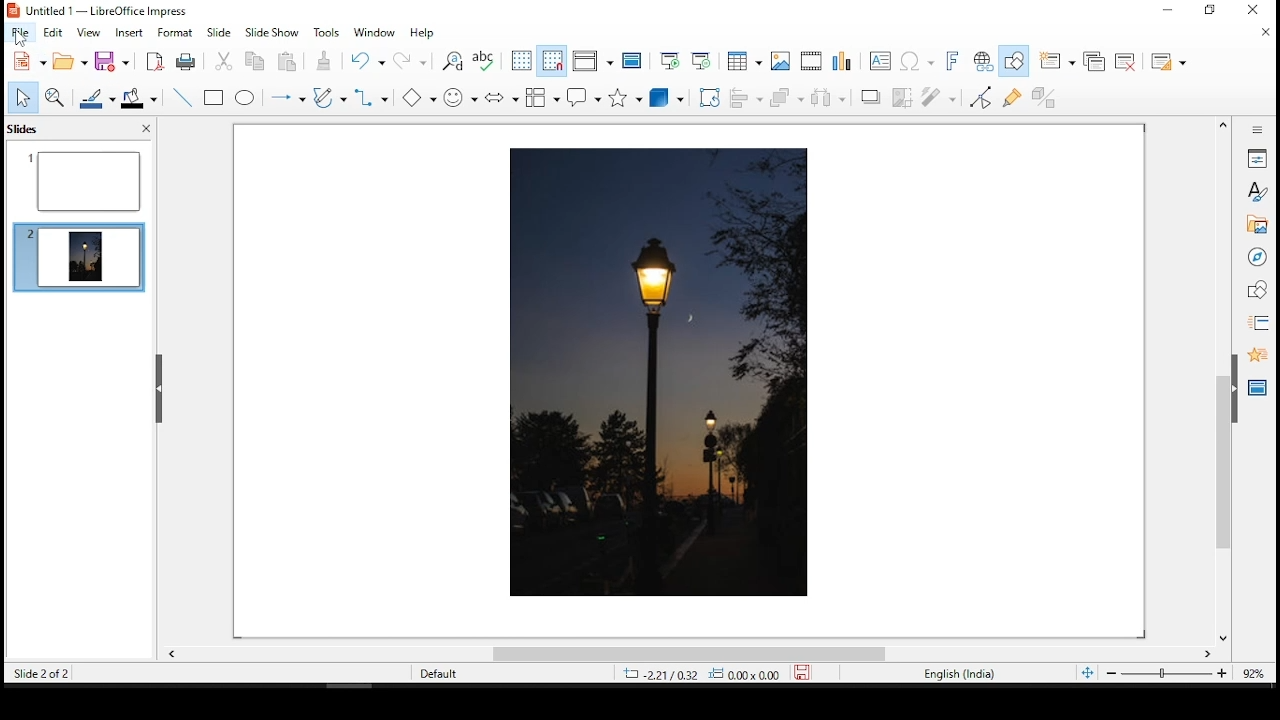  What do you see at coordinates (1257, 355) in the screenshot?
I see `animation` at bounding box center [1257, 355].